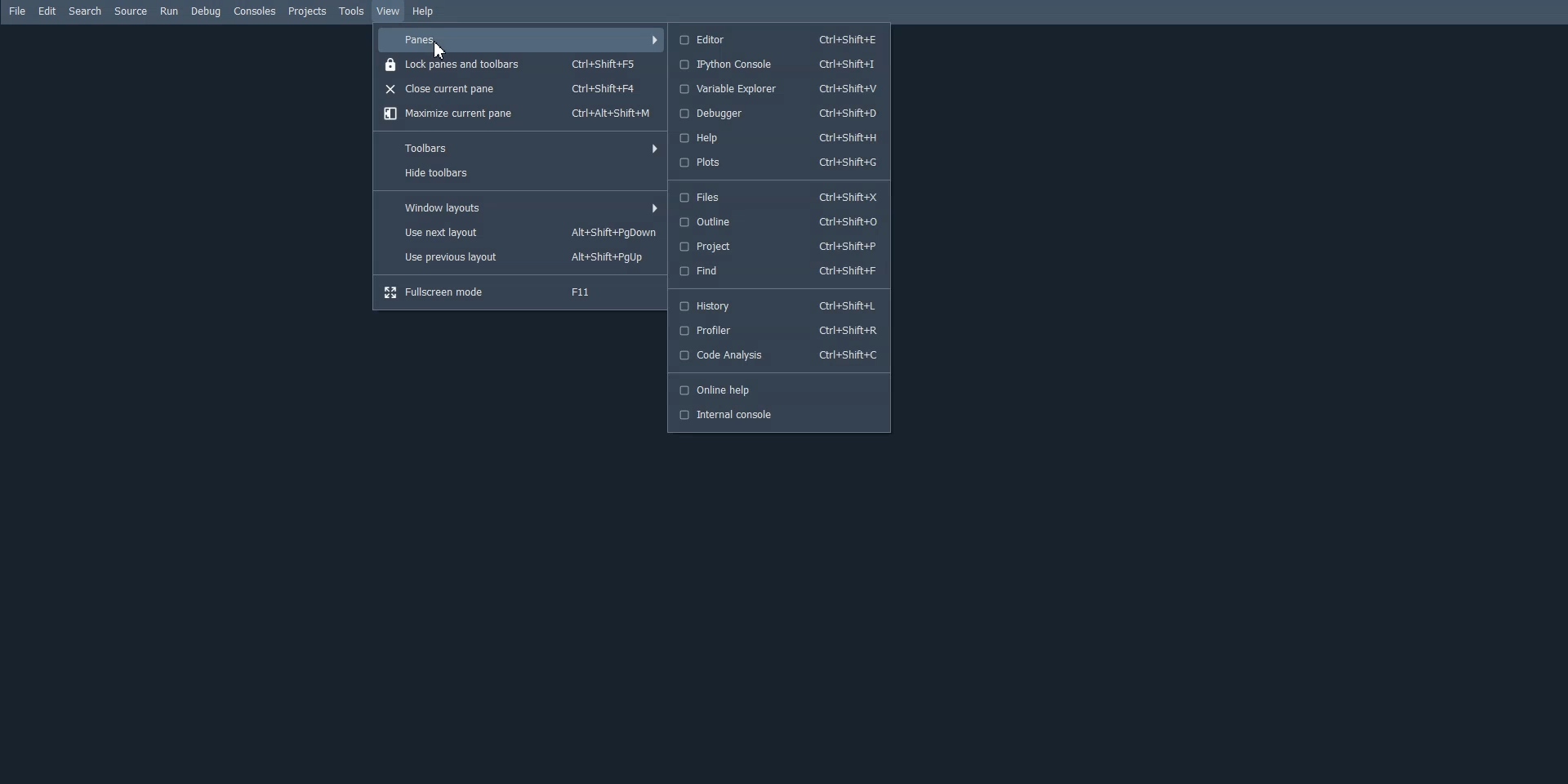 This screenshot has width=1568, height=784. Describe the element at coordinates (777, 197) in the screenshot. I see `Files` at that location.